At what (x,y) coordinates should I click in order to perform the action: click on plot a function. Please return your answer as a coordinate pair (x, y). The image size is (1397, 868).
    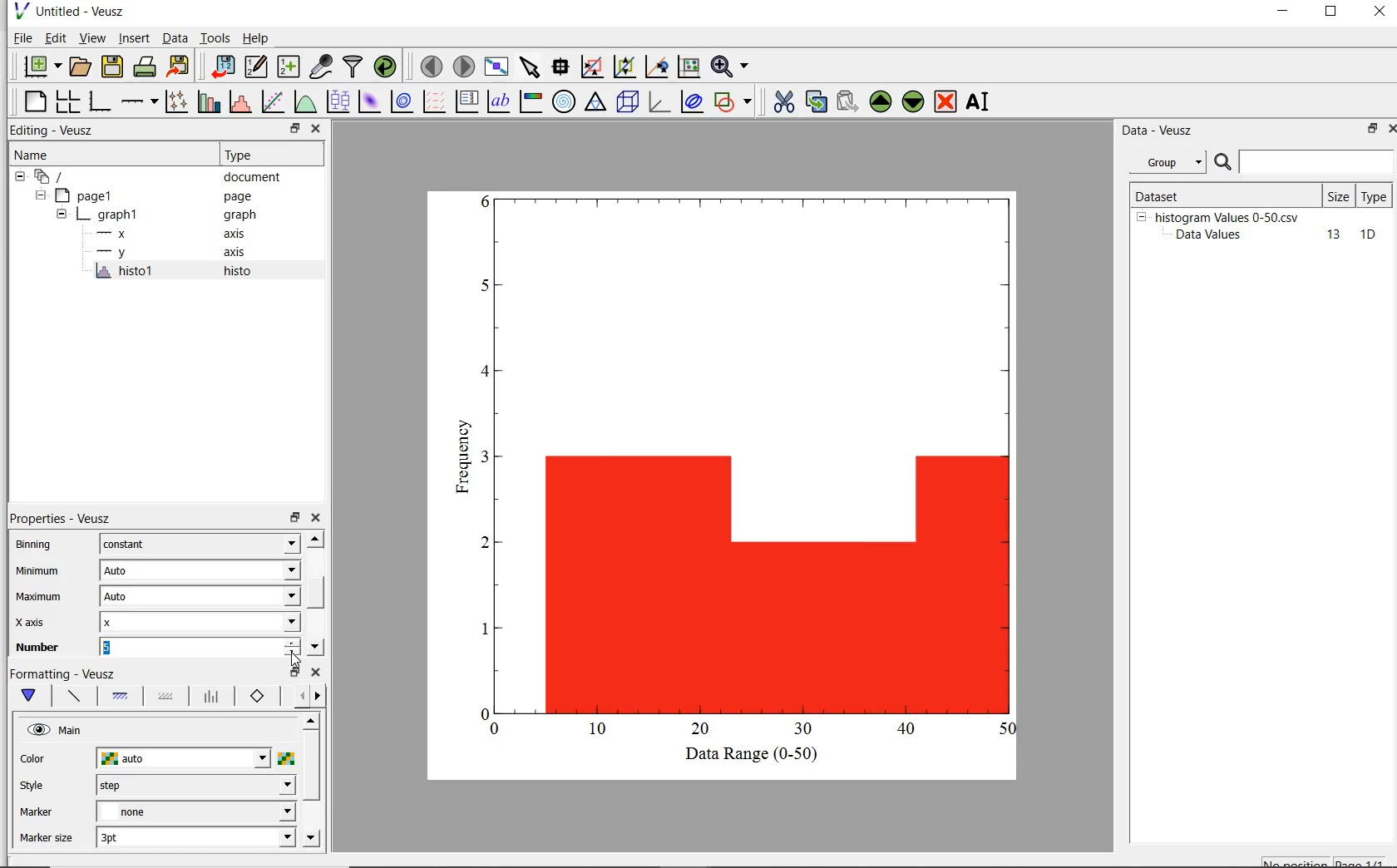
    Looking at the image, I should click on (304, 101).